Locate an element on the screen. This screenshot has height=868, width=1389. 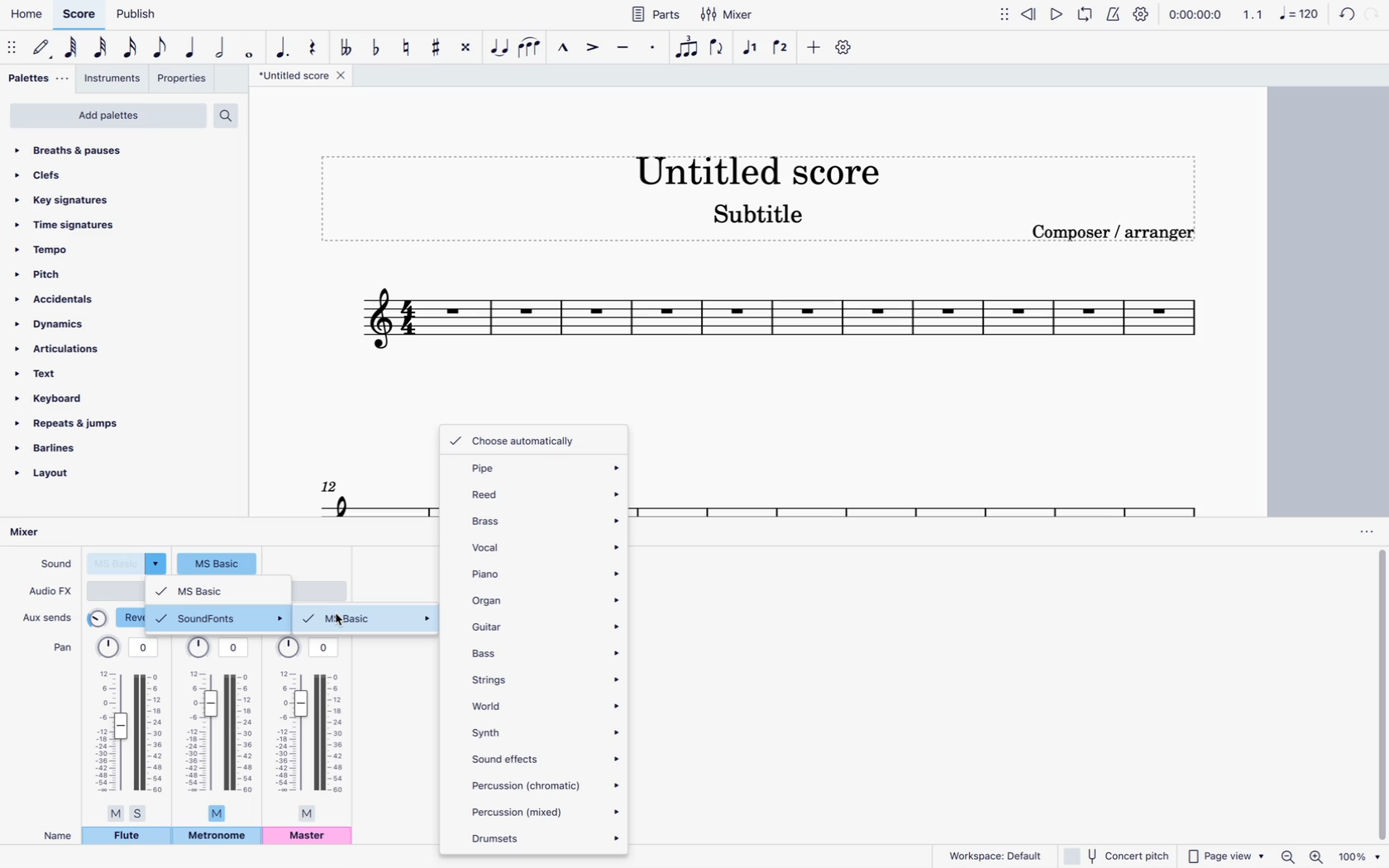
rest is located at coordinates (313, 44).